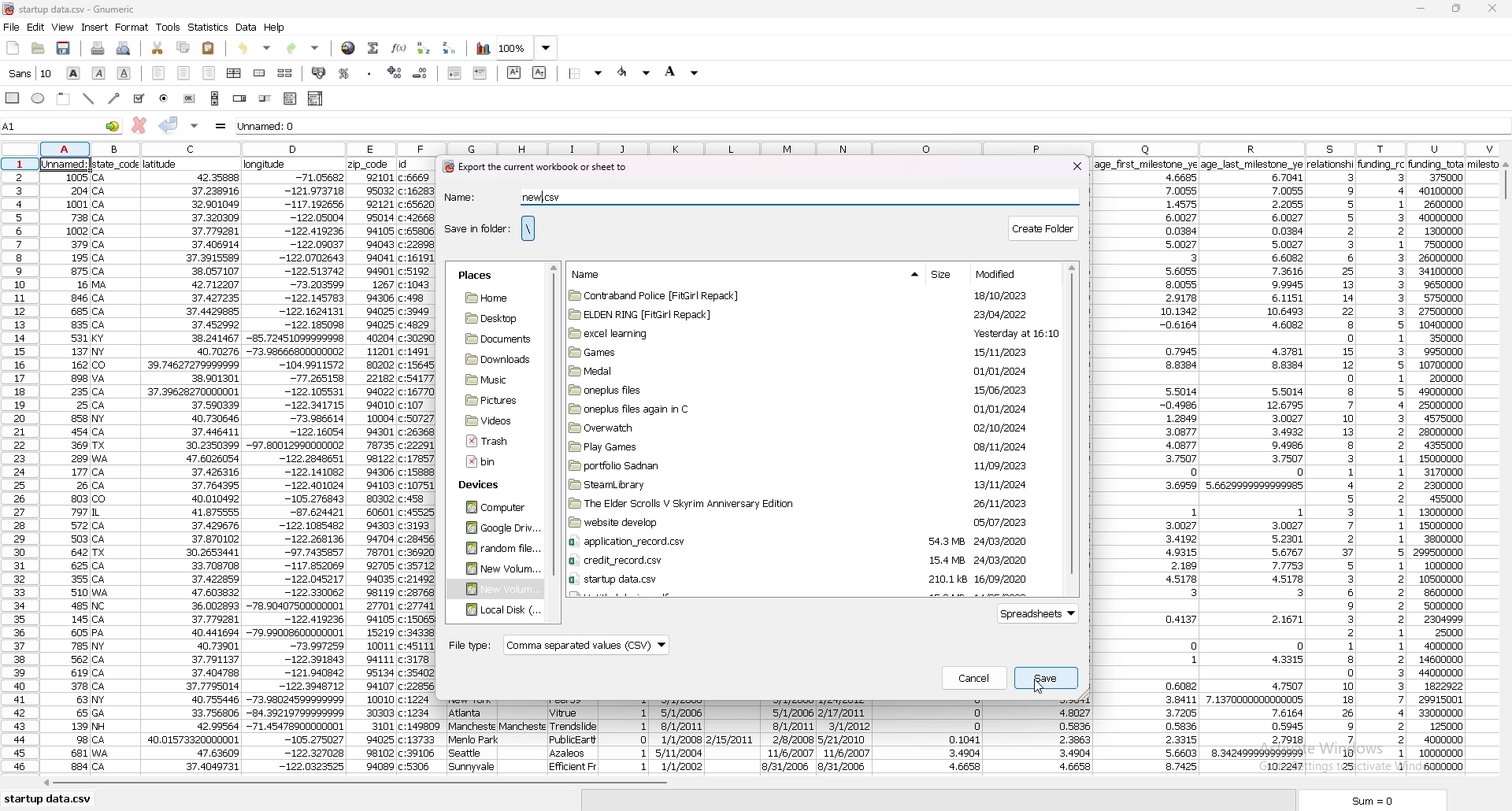  What do you see at coordinates (475, 737) in the screenshot?
I see `data` at bounding box center [475, 737].